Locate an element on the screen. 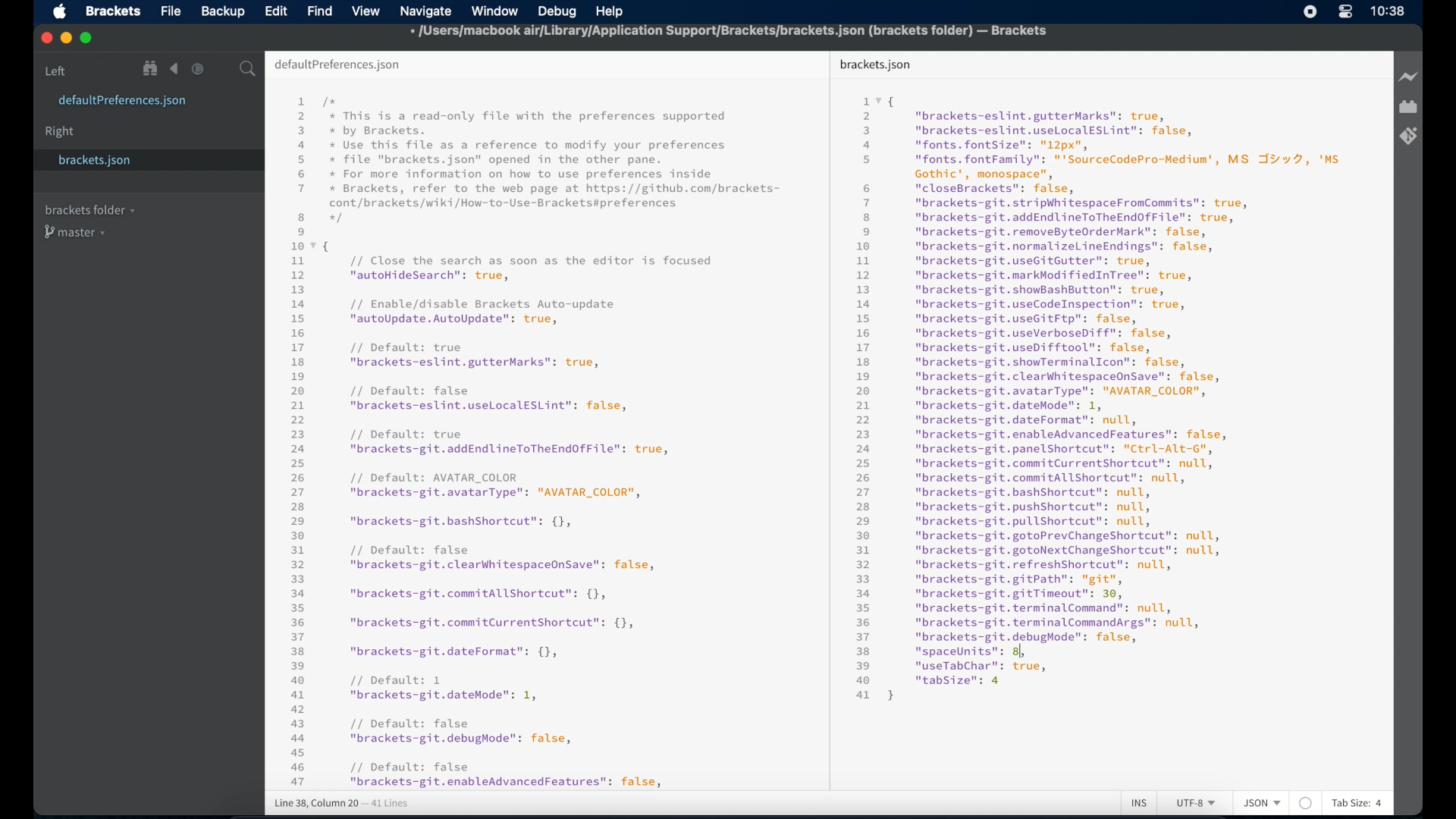  defaultpreferences.json is located at coordinates (122, 101).